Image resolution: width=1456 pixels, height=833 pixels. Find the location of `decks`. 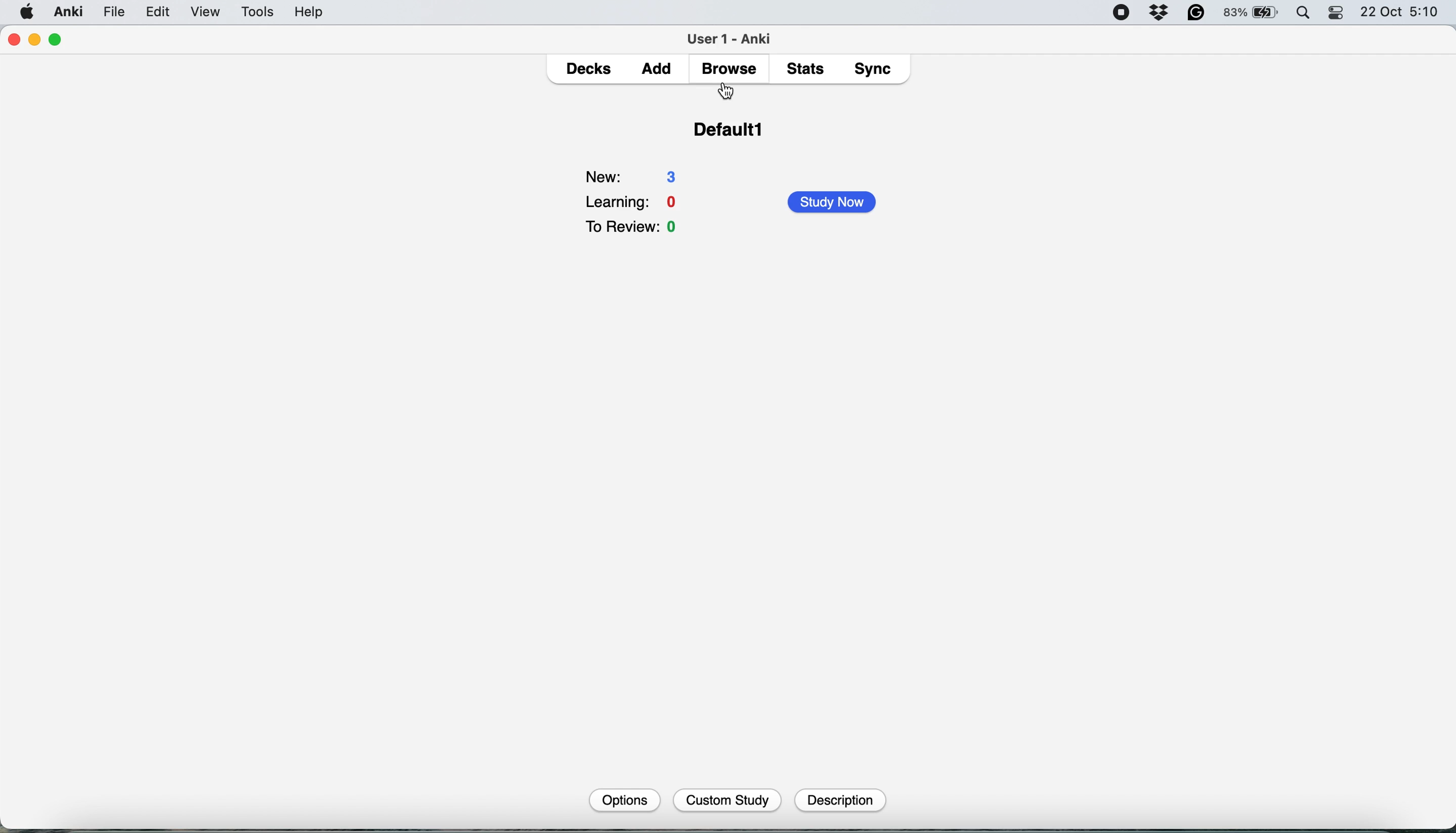

decks is located at coordinates (591, 70).